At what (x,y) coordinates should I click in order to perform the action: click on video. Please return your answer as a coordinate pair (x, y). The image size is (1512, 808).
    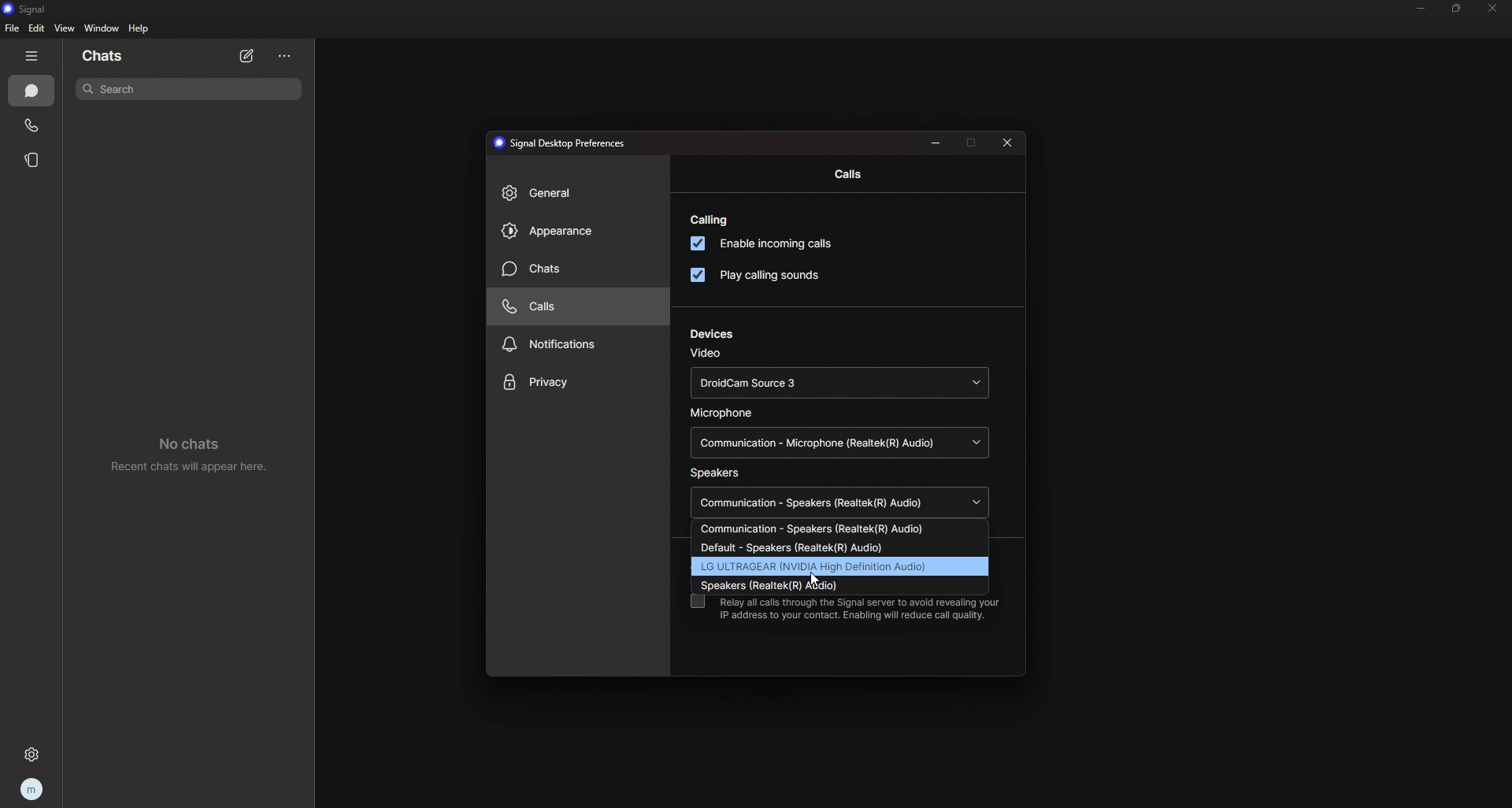
    Looking at the image, I should click on (705, 353).